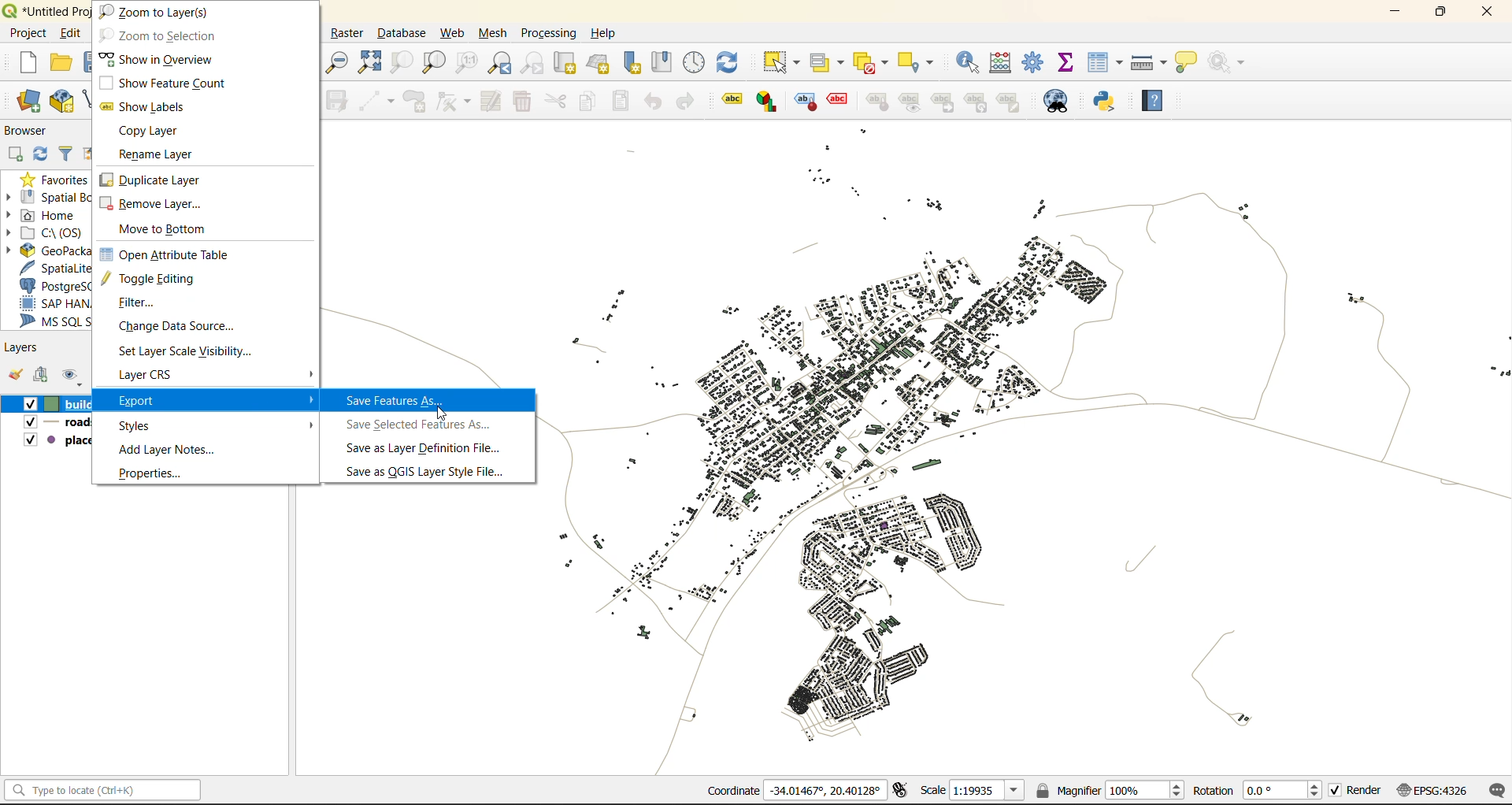  What do you see at coordinates (58, 62) in the screenshot?
I see `open` at bounding box center [58, 62].